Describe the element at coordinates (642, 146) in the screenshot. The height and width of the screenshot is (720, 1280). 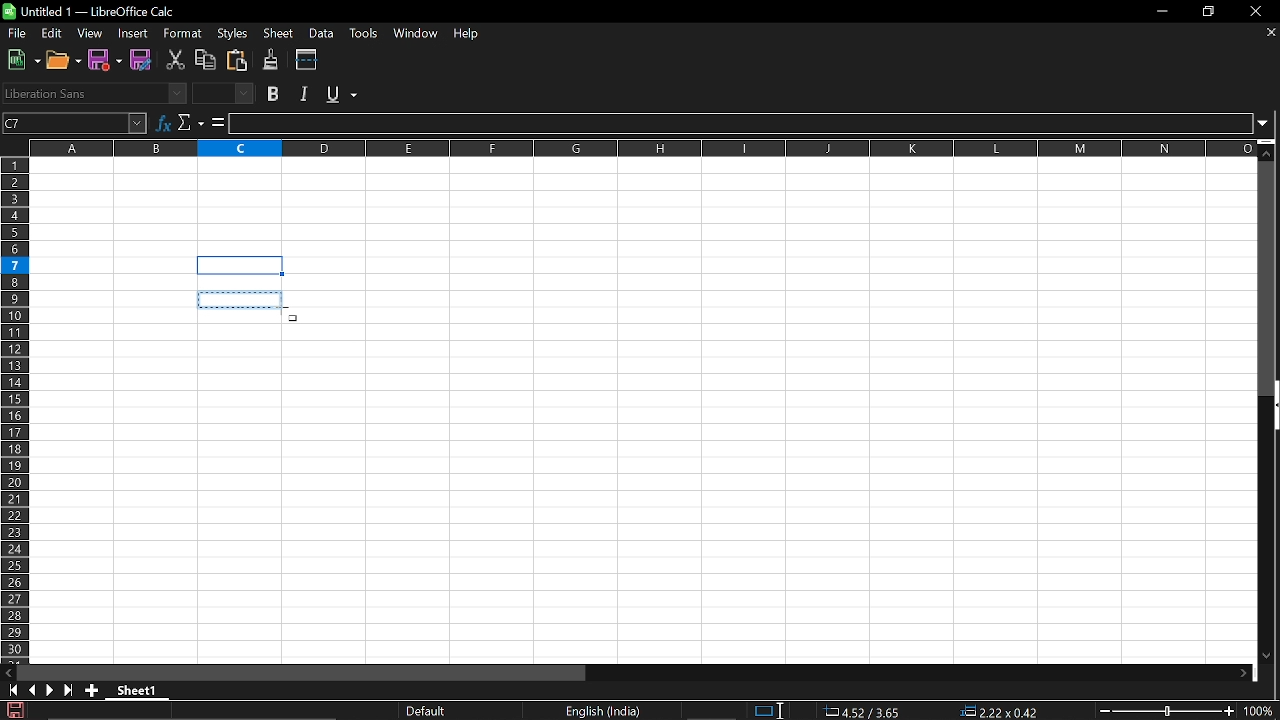
I see `Columns` at that location.